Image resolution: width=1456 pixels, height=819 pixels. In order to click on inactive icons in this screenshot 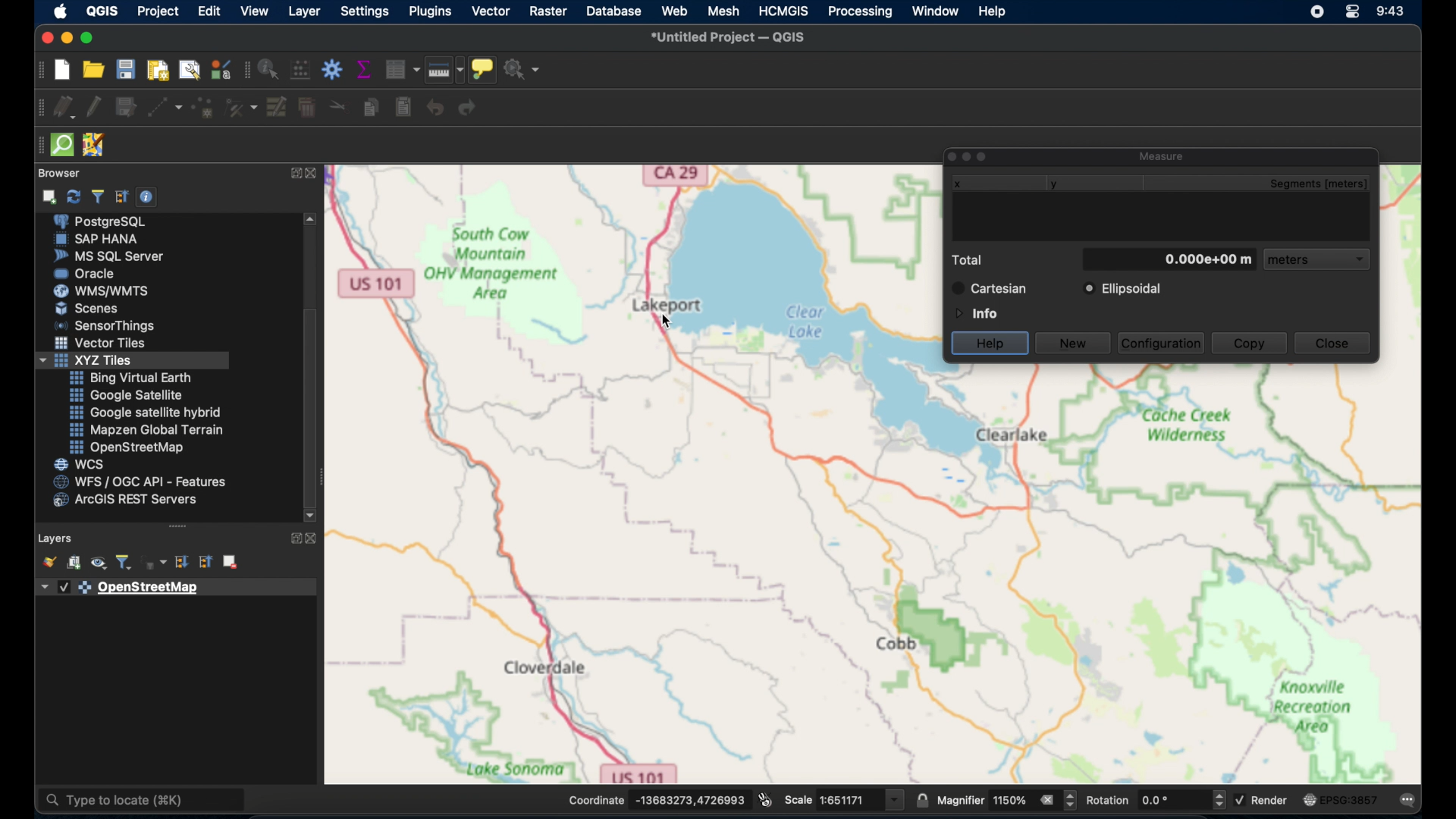, I will do `click(968, 156)`.